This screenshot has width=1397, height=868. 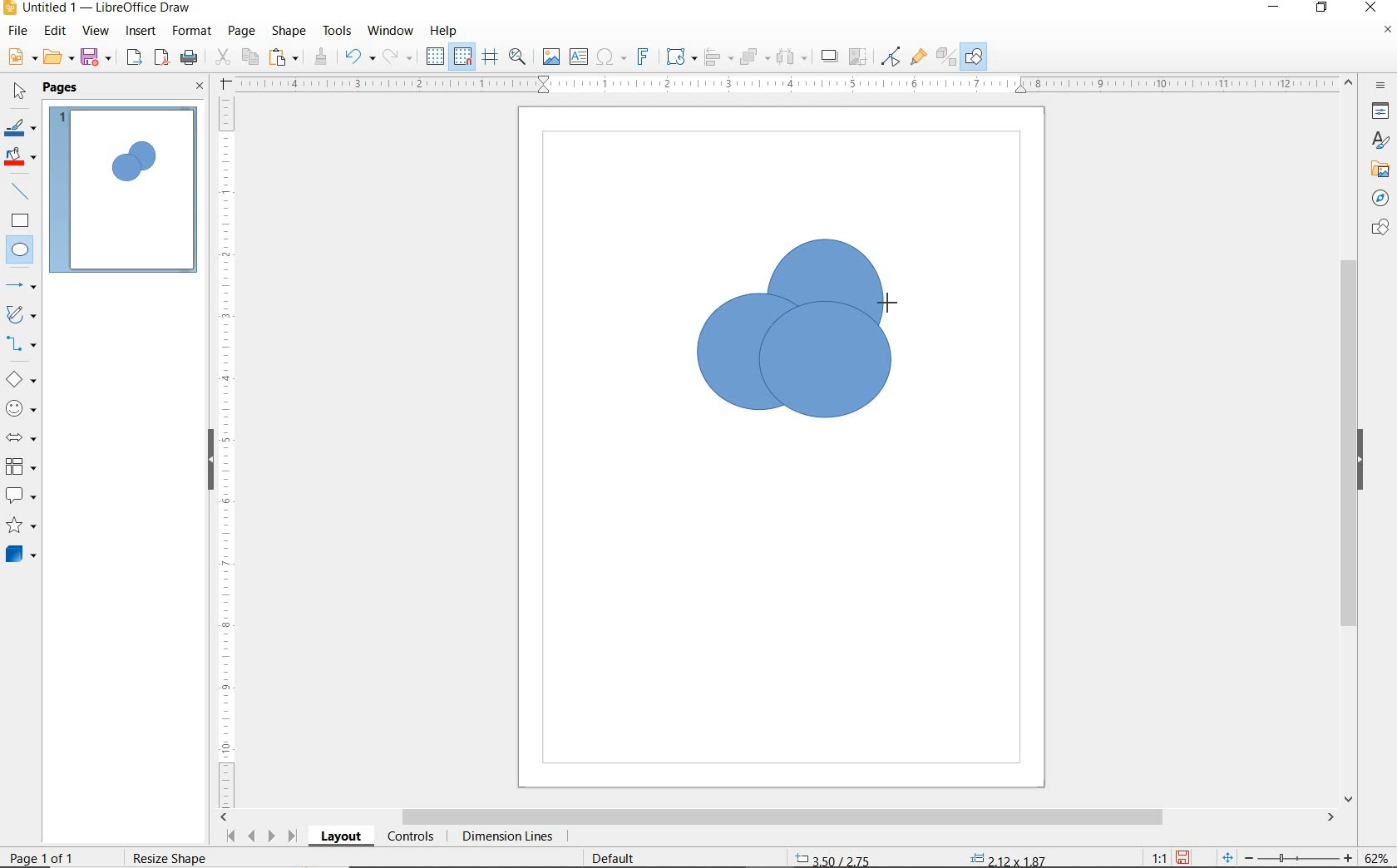 I want to click on RULER, so click(x=788, y=85).